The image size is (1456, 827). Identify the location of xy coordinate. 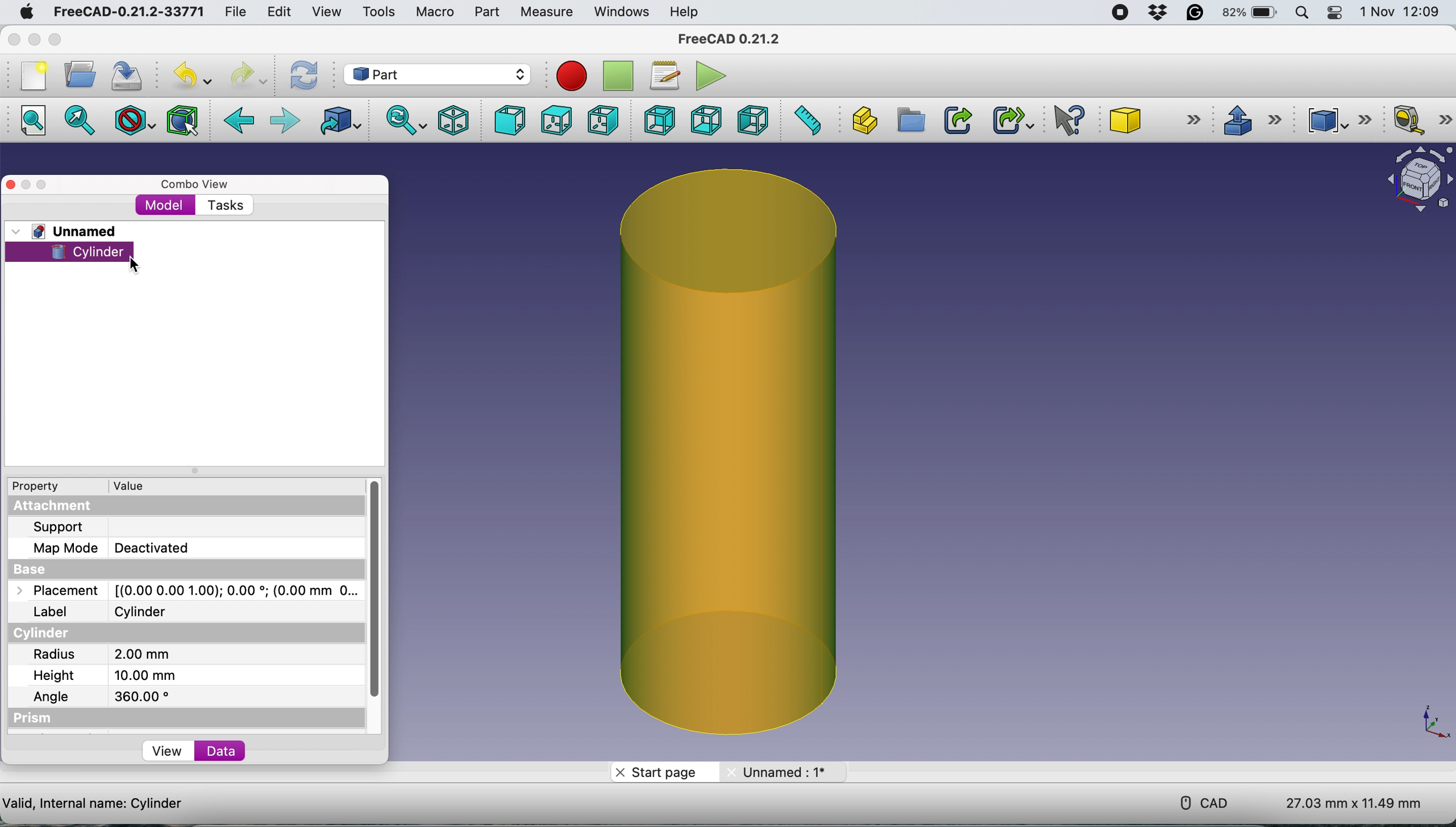
(1432, 721).